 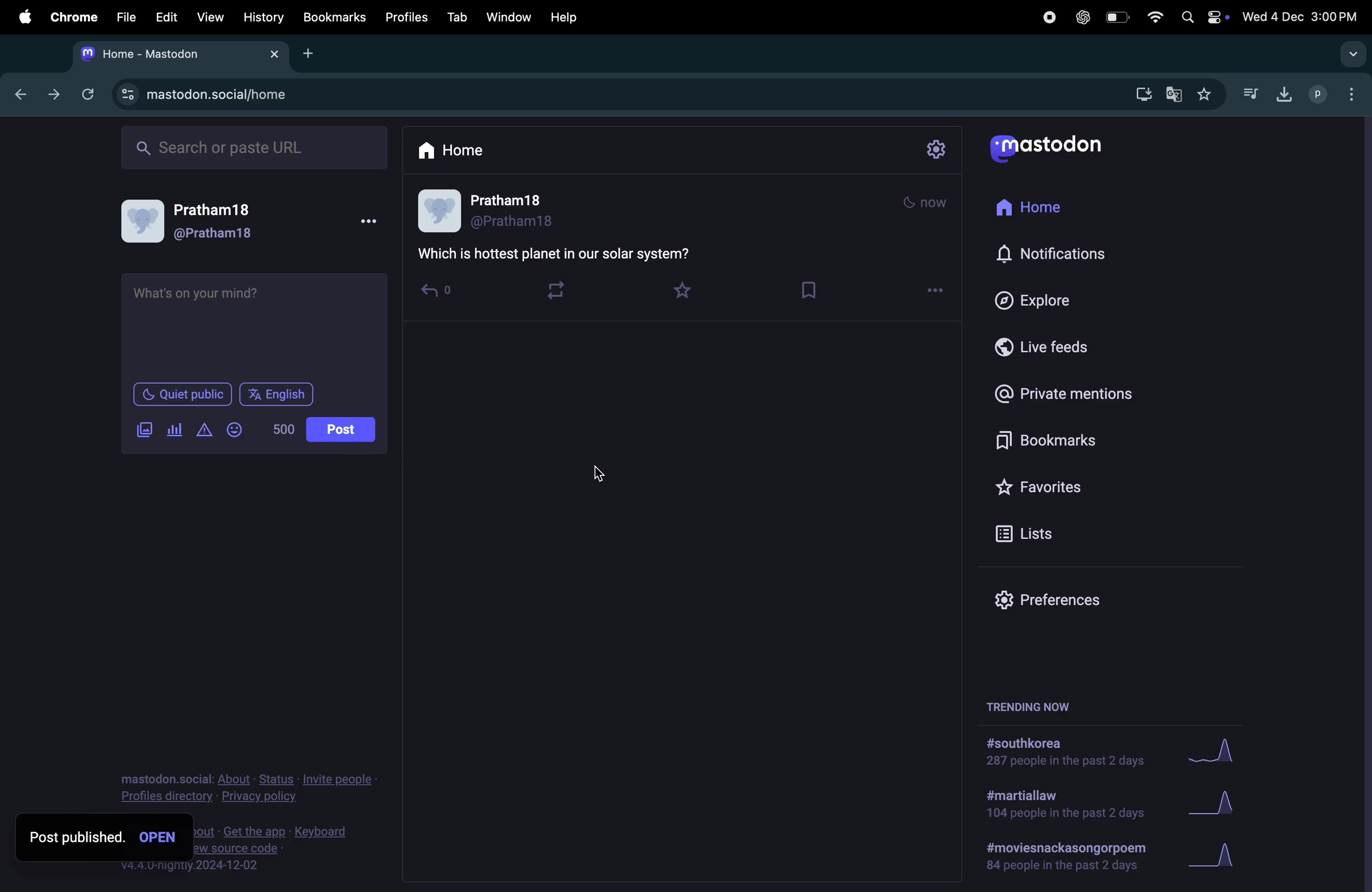 What do you see at coordinates (341, 429) in the screenshot?
I see `post` at bounding box center [341, 429].